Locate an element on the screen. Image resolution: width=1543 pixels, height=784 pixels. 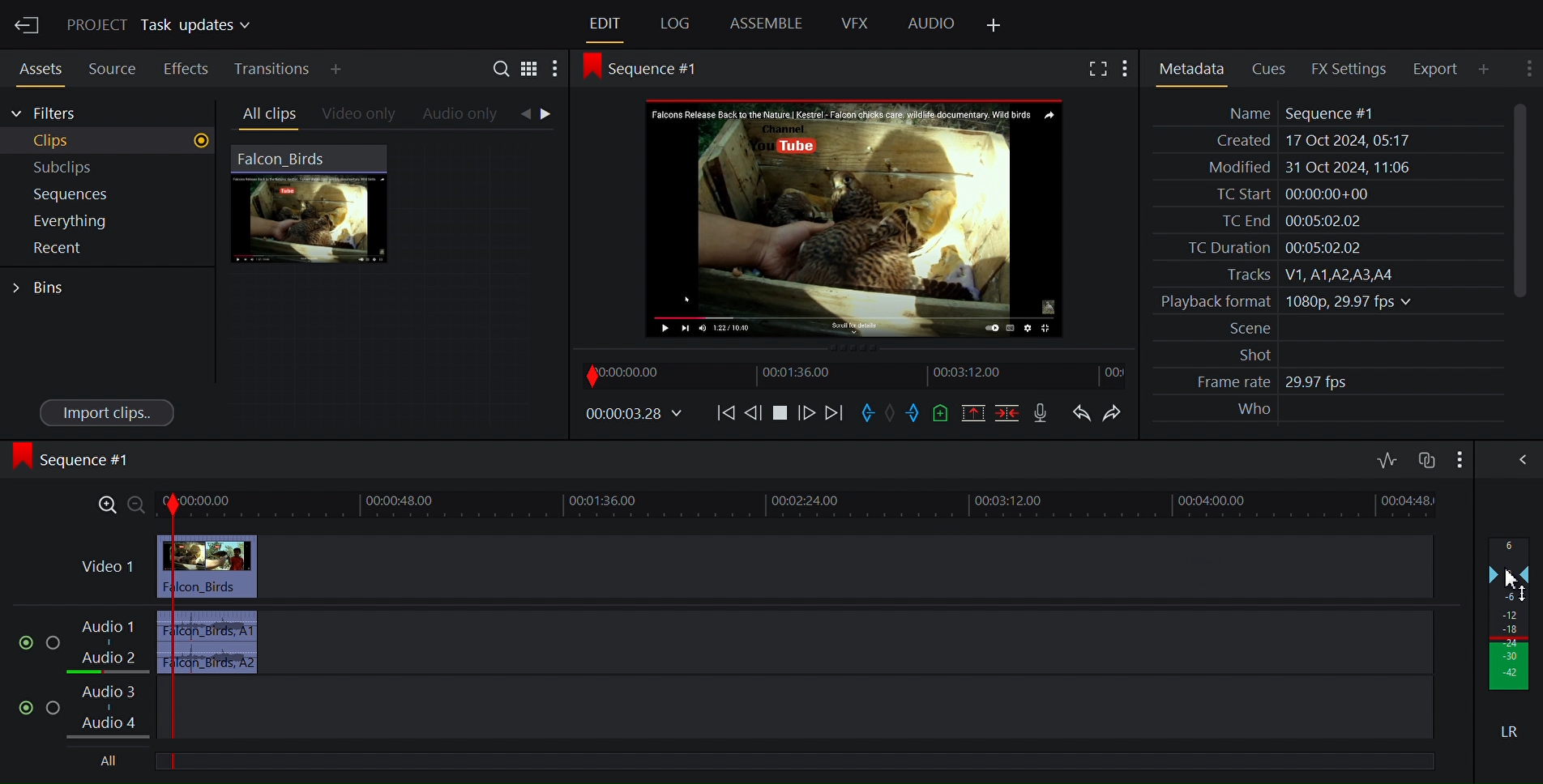
Tracks V1, A1,A2,A3,A4 is located at coordinates (1302, 275).